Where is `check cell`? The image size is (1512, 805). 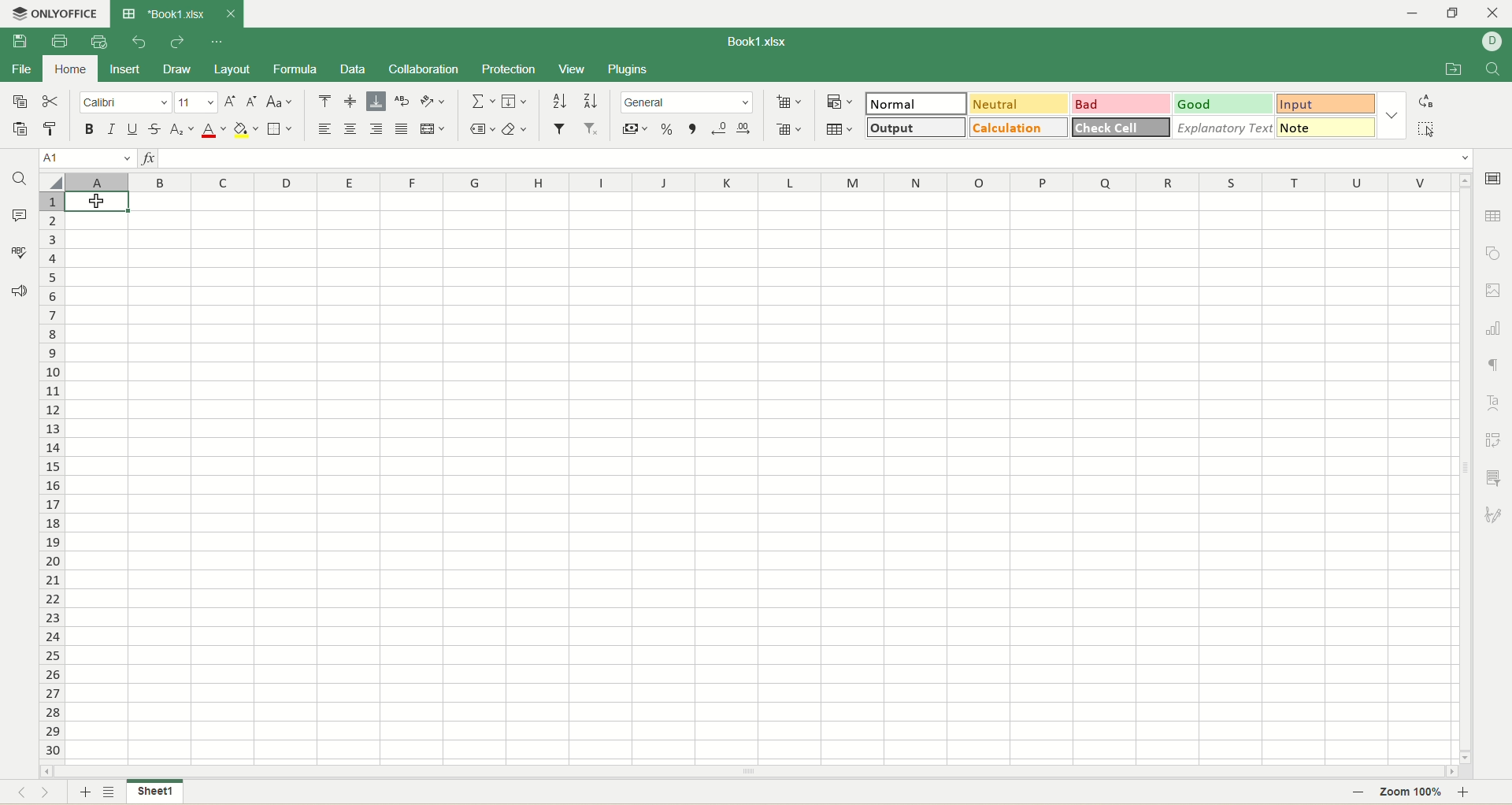 check cell is located at coordinates (1122, 128).